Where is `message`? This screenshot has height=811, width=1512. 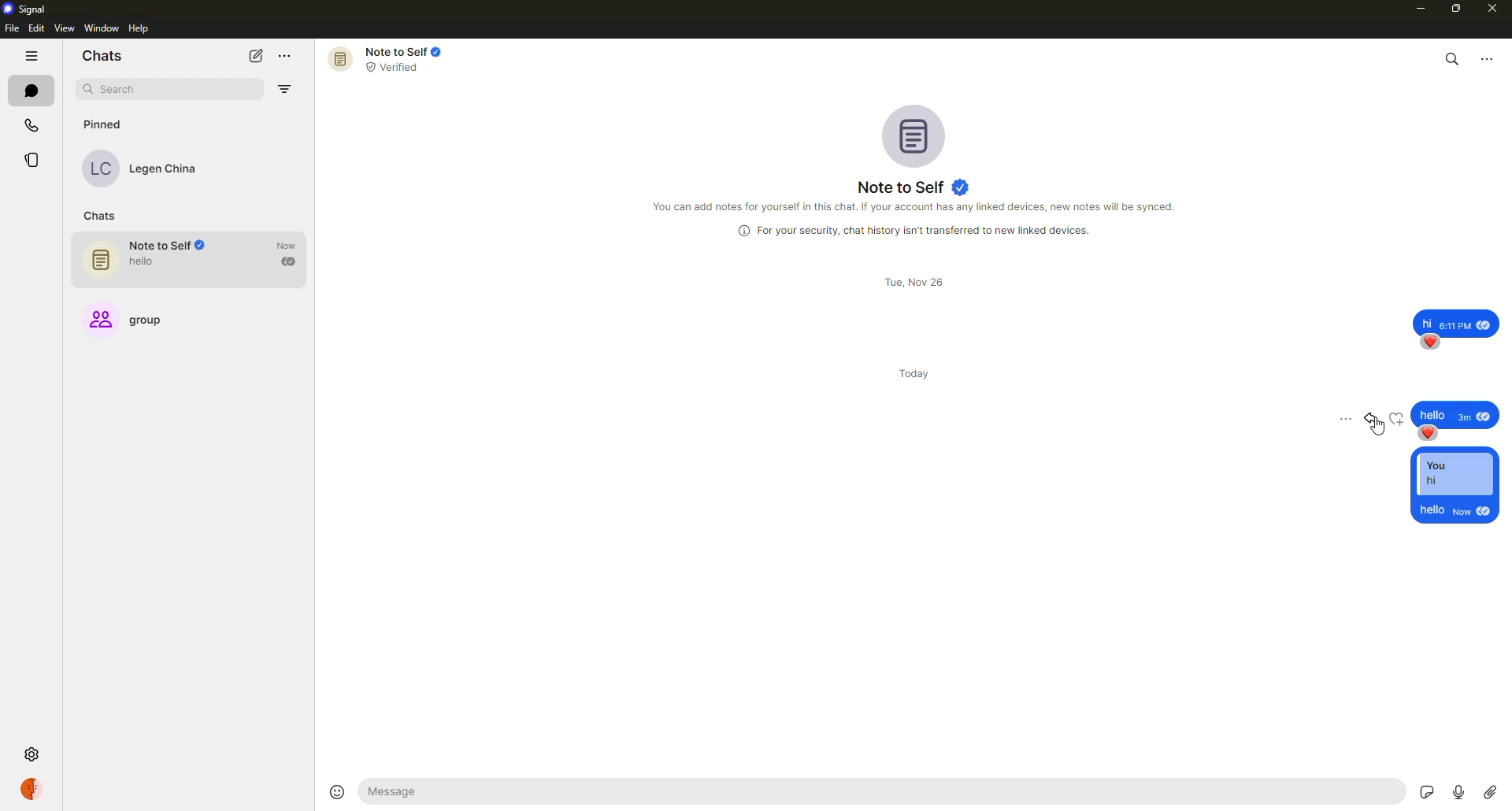
message is located at coordinates (1457, 321).